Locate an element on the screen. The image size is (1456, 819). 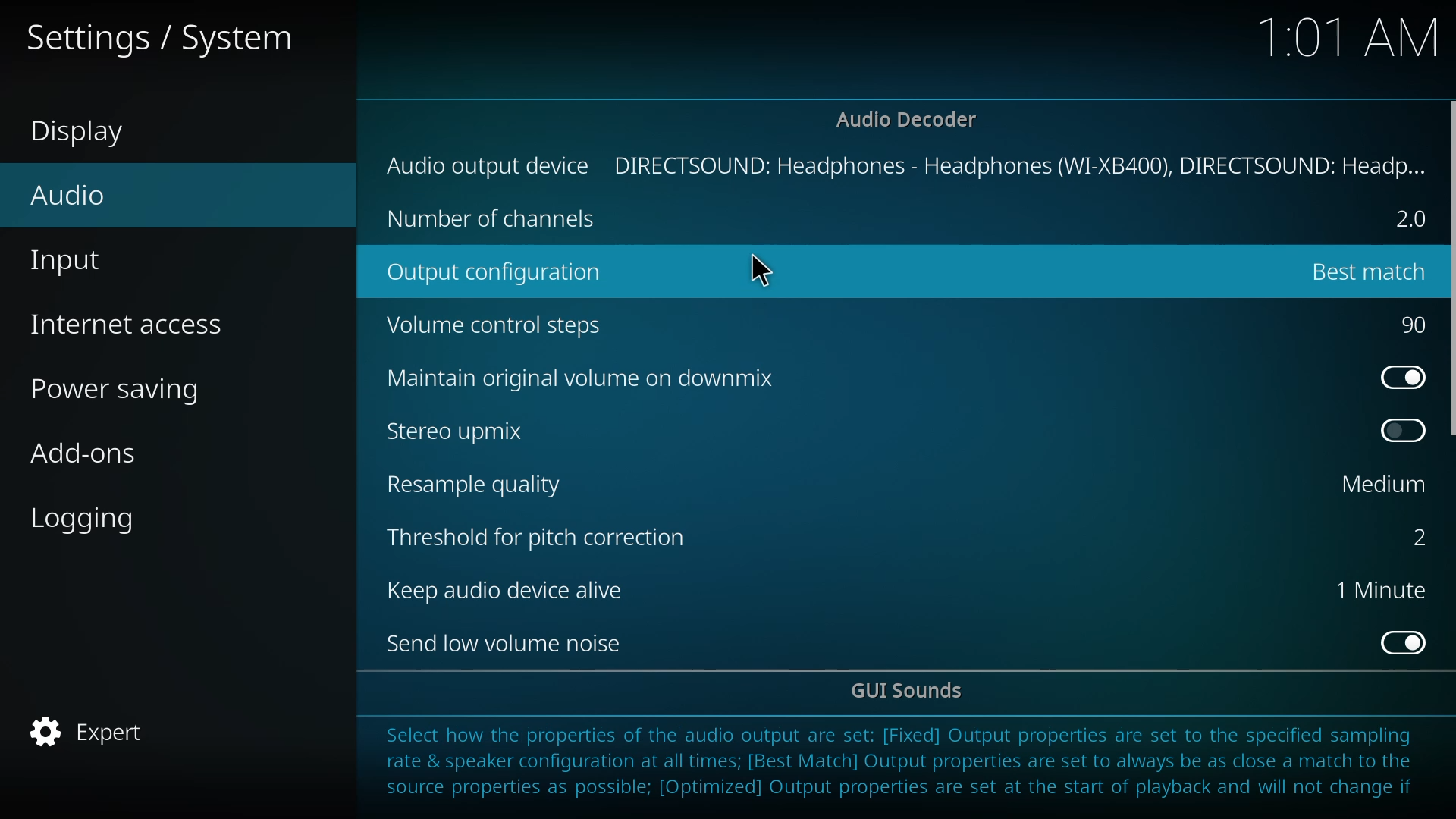
logging is located at coordinates (94, 518).